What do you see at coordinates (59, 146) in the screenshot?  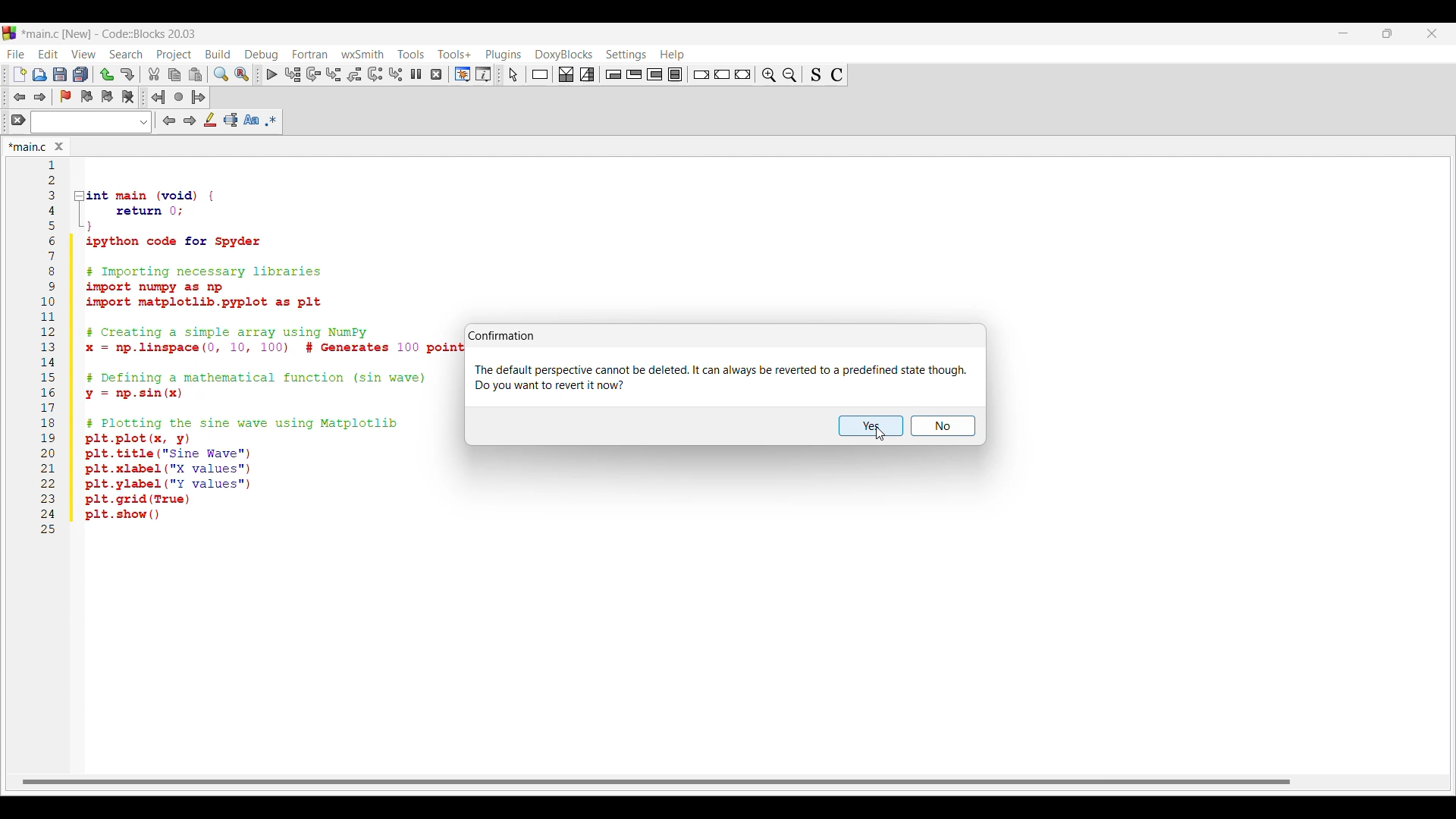 I see `Close` at bounding box center [59, 146].